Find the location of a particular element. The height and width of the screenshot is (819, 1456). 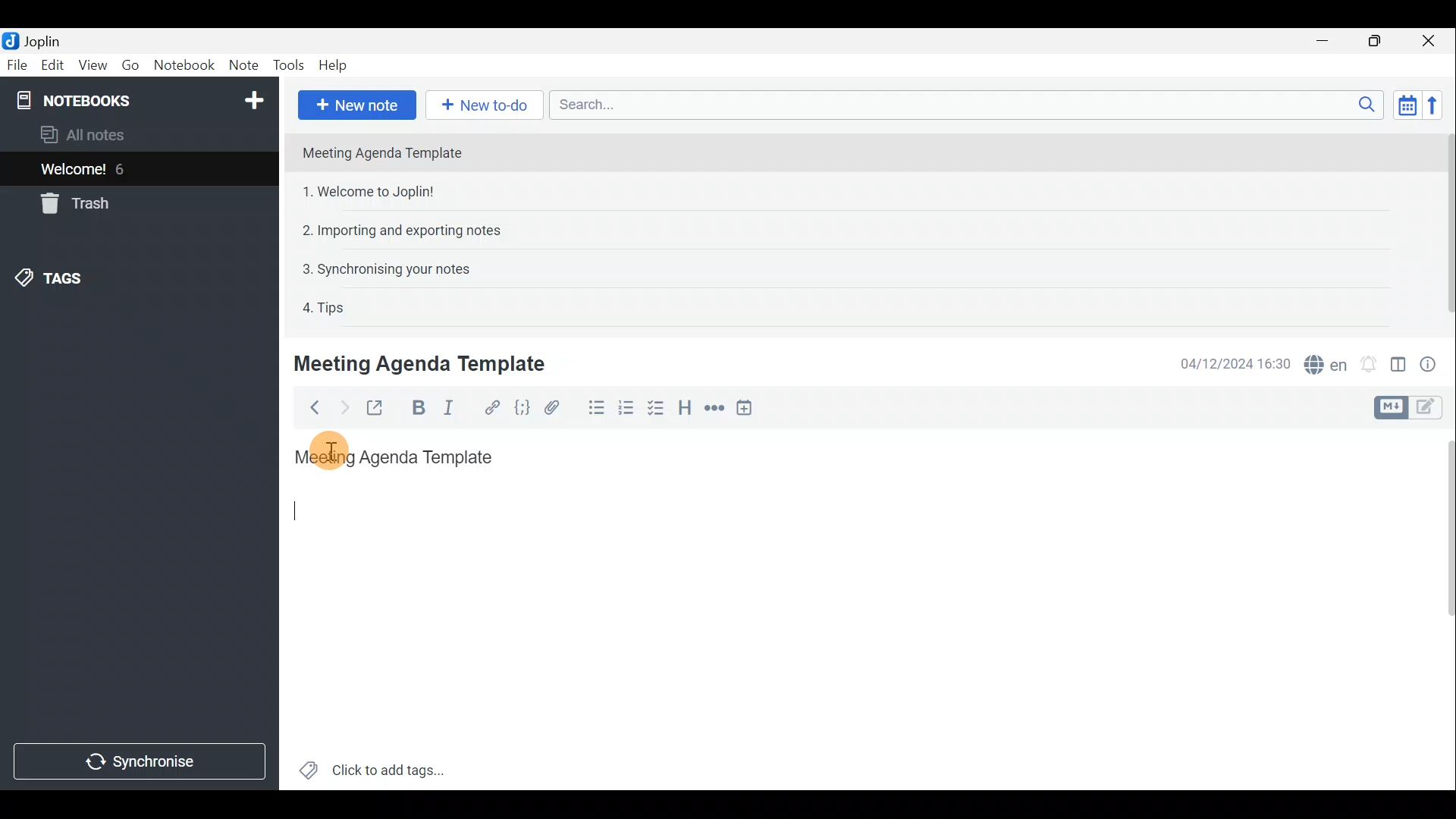

Click to add tags is located at coordinates (393, 767).